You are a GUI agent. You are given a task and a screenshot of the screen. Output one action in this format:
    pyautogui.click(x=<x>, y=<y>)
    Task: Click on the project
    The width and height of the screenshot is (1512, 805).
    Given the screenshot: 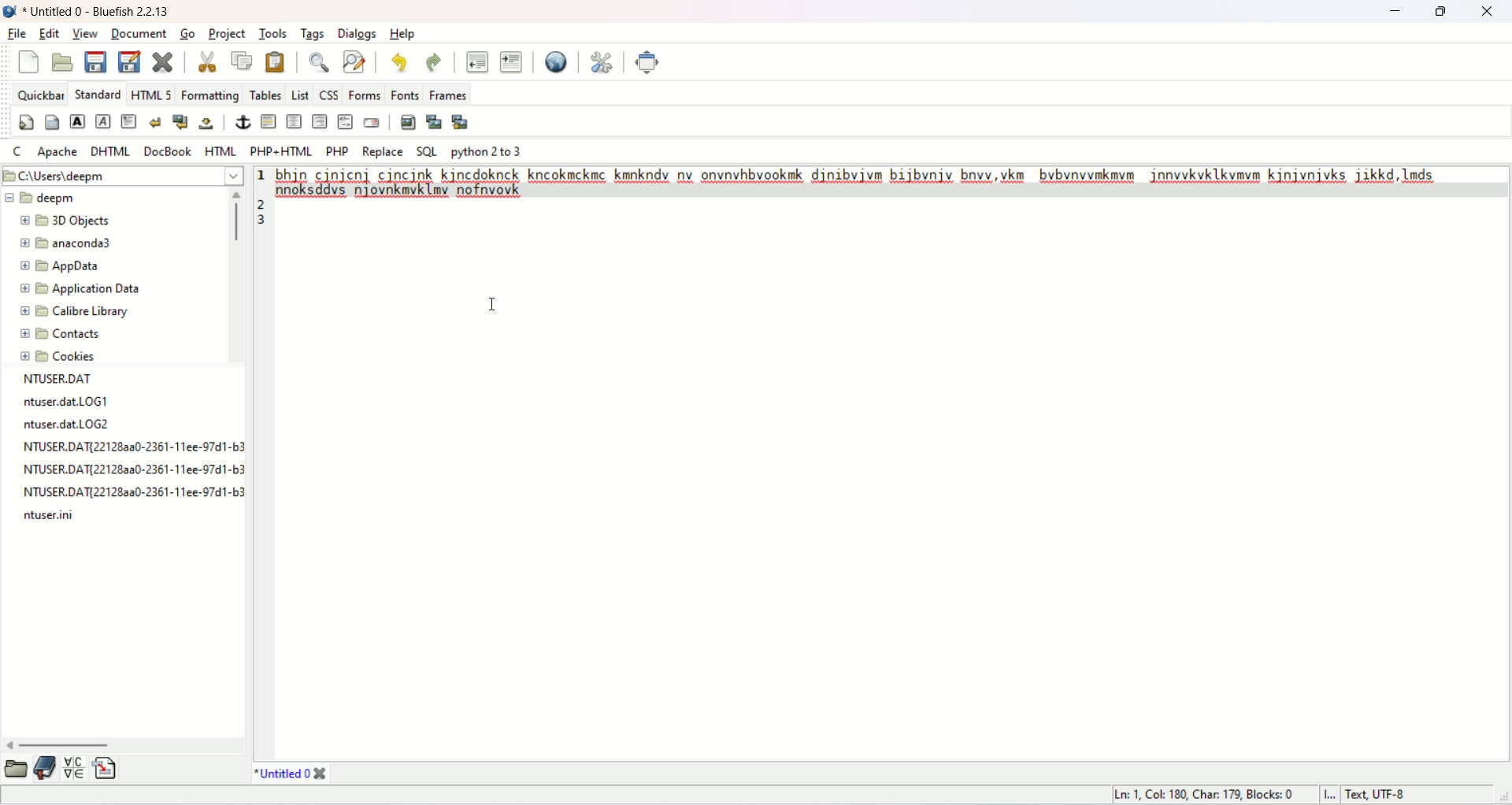 What is the action you would take?
    pyautogui.click(x=230, y=34)
    